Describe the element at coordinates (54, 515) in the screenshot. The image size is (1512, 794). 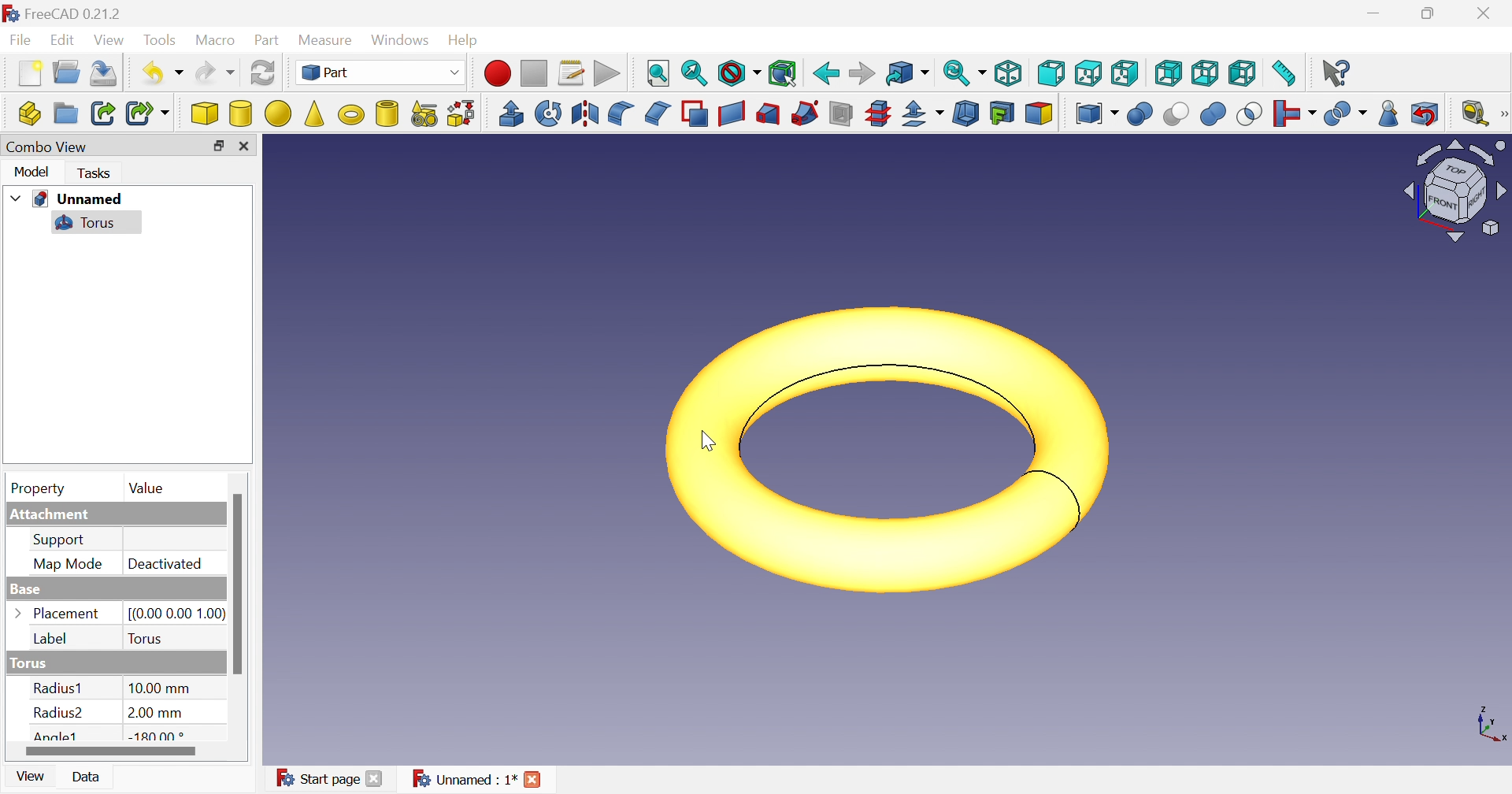
I see `Attachment` at that location.